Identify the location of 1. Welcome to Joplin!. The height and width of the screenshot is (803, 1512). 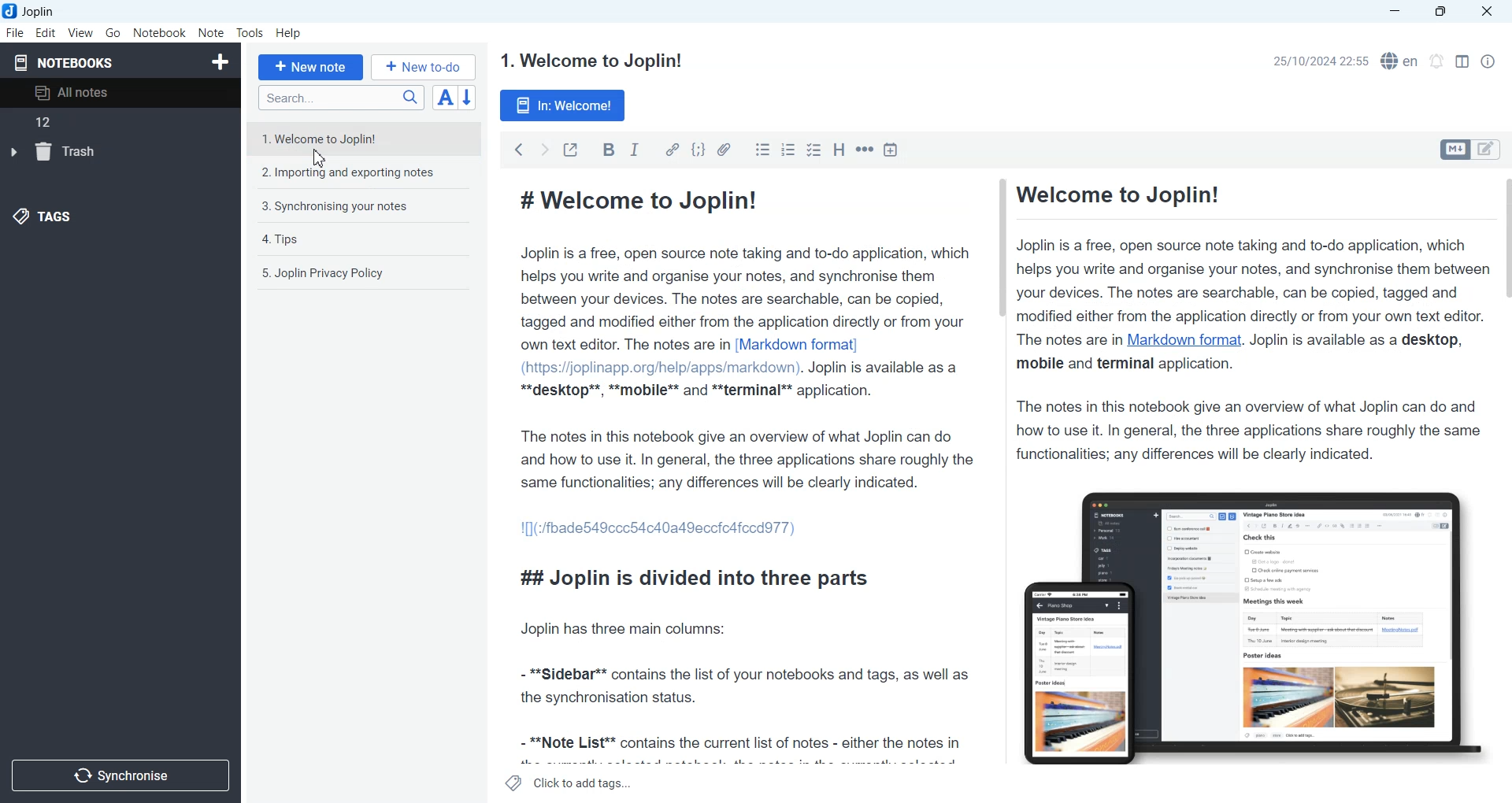
(332, 138).